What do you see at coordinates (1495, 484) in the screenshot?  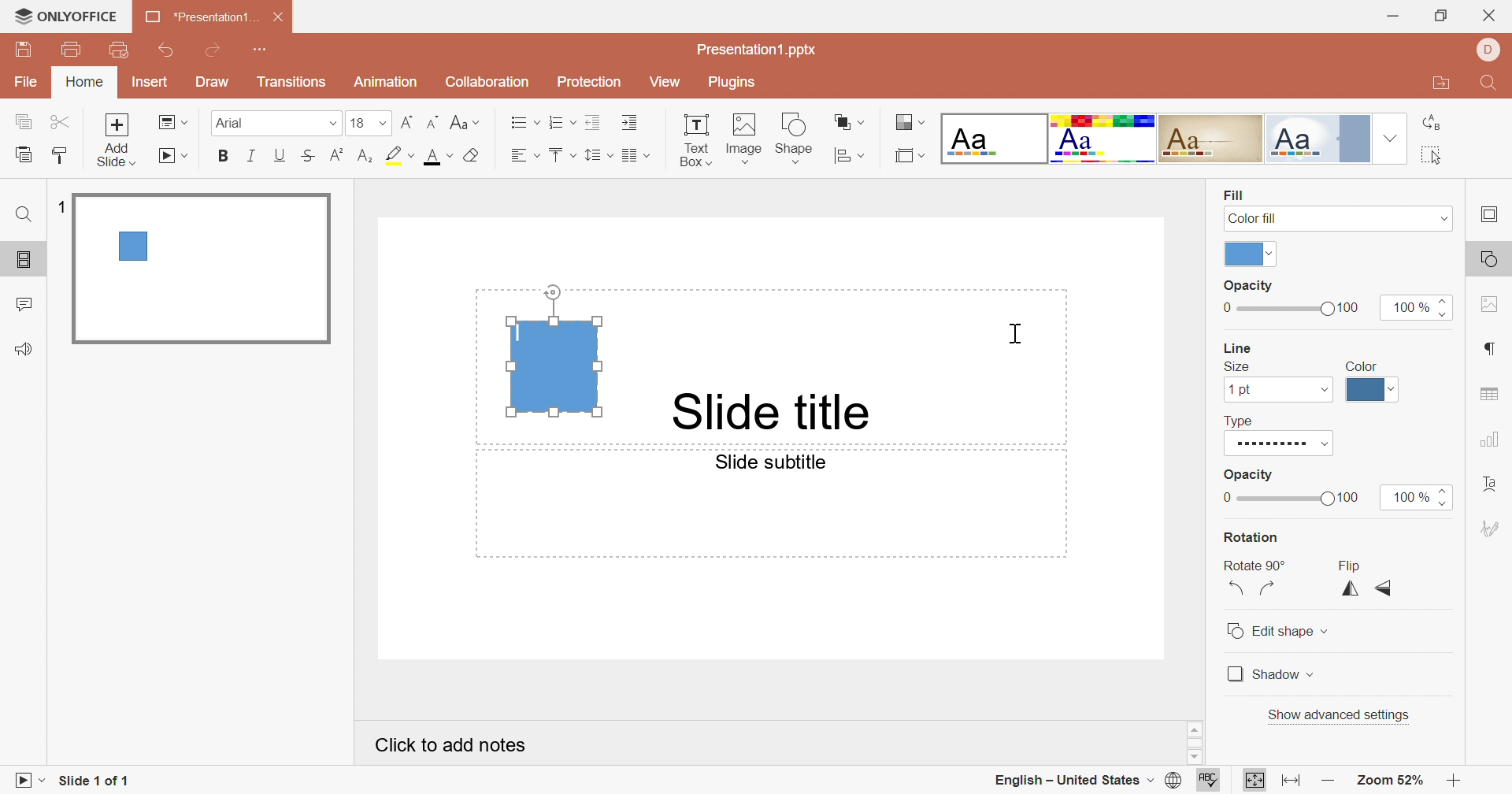 I see `Text Art settings` at bounding box center [1495, 484].